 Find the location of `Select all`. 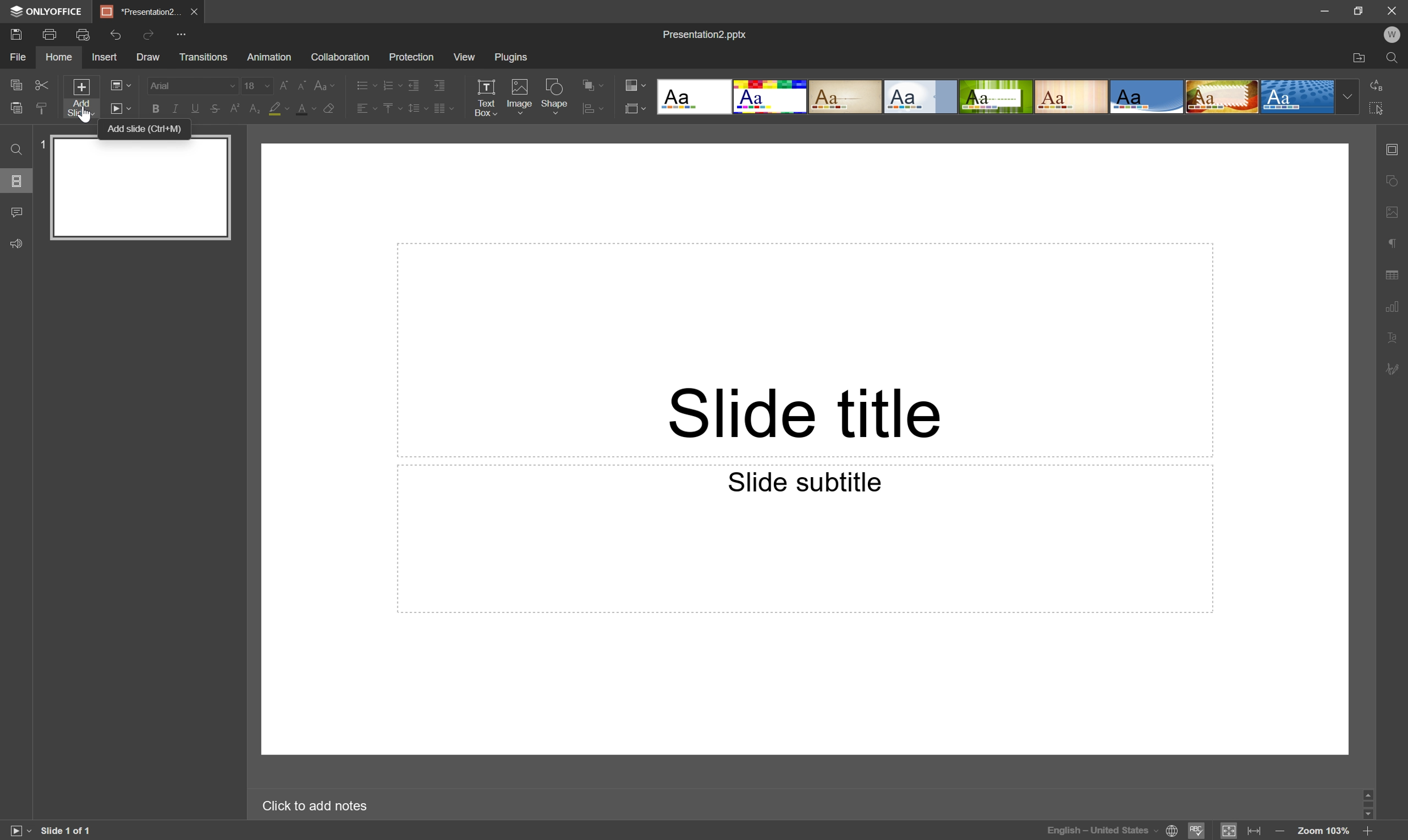

Select all is located at coordinates (1377, 106).